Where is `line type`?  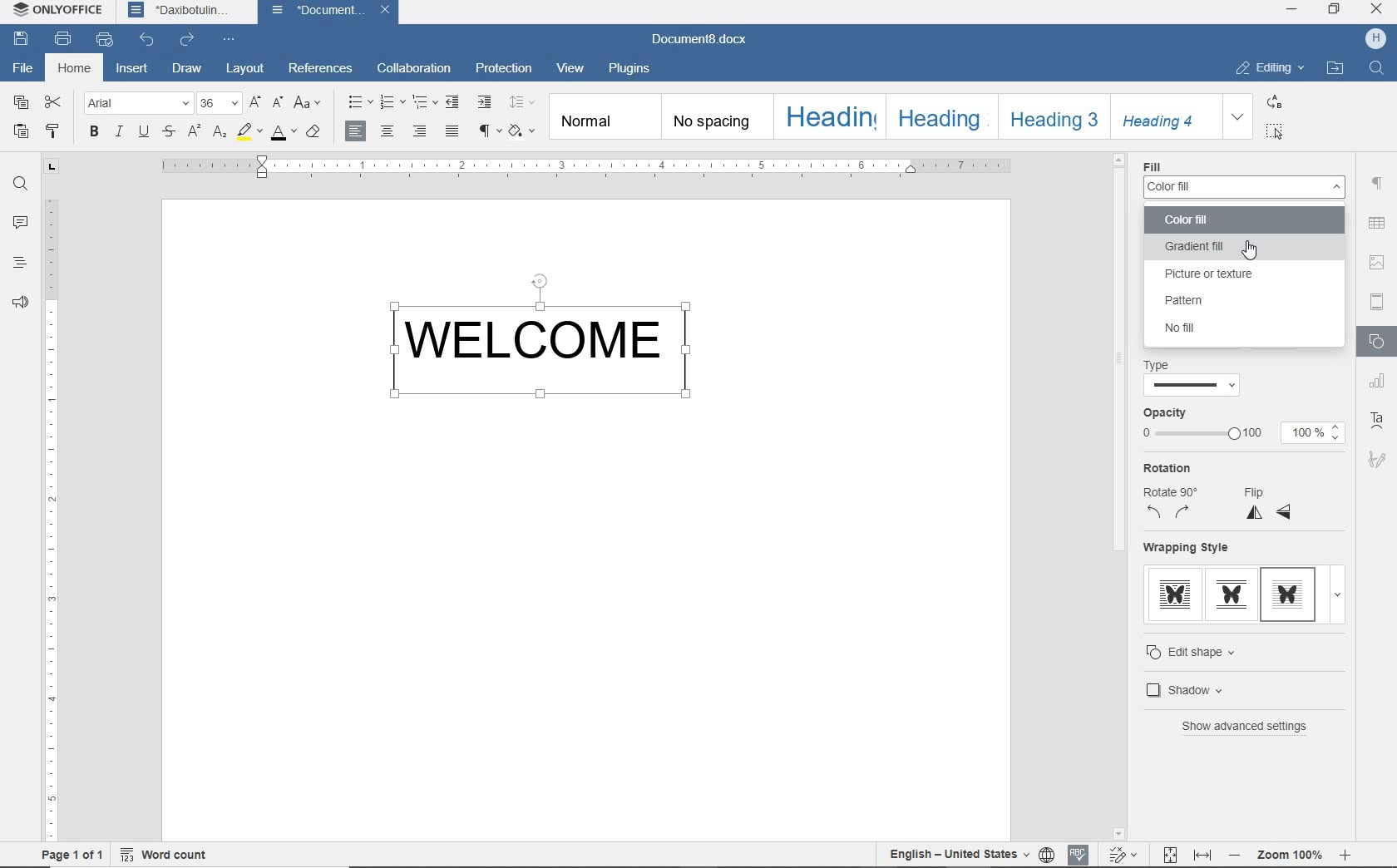
line type is located at coordinates (1192, 387).